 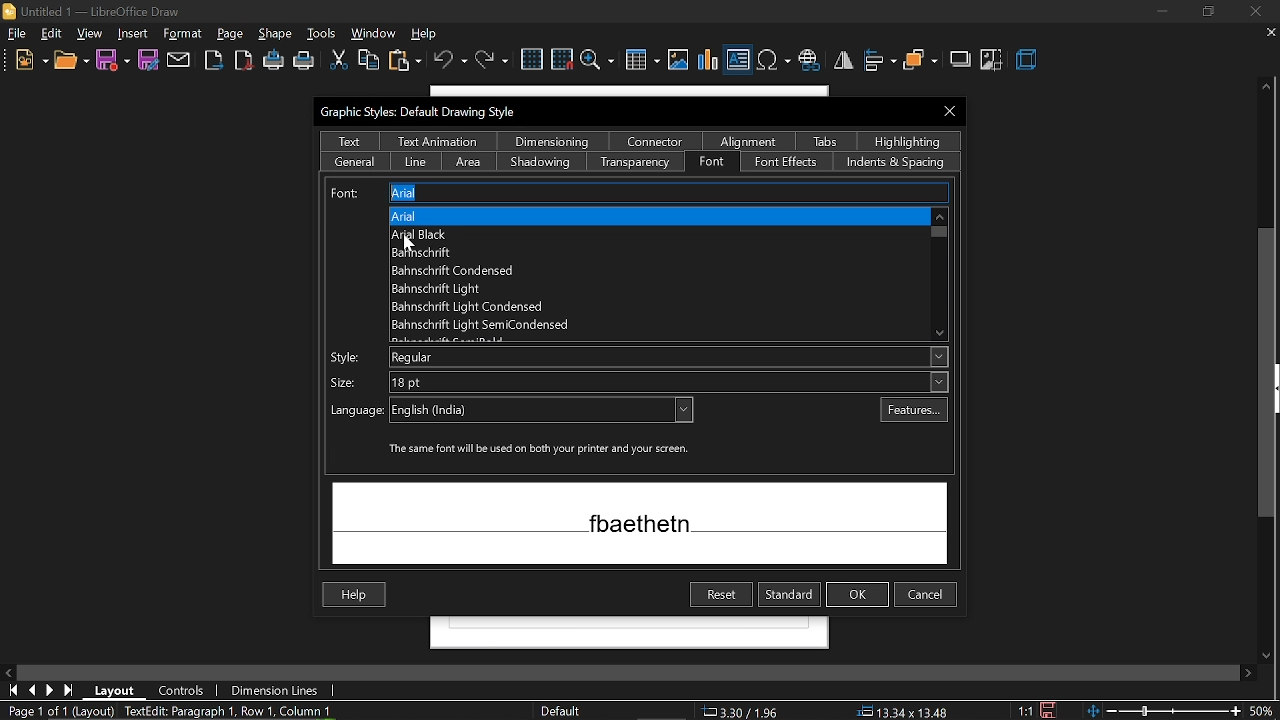 What do you see at coordinates (789, 596) in the screenshot?
I see `standard` at bounding box center [789, 596].